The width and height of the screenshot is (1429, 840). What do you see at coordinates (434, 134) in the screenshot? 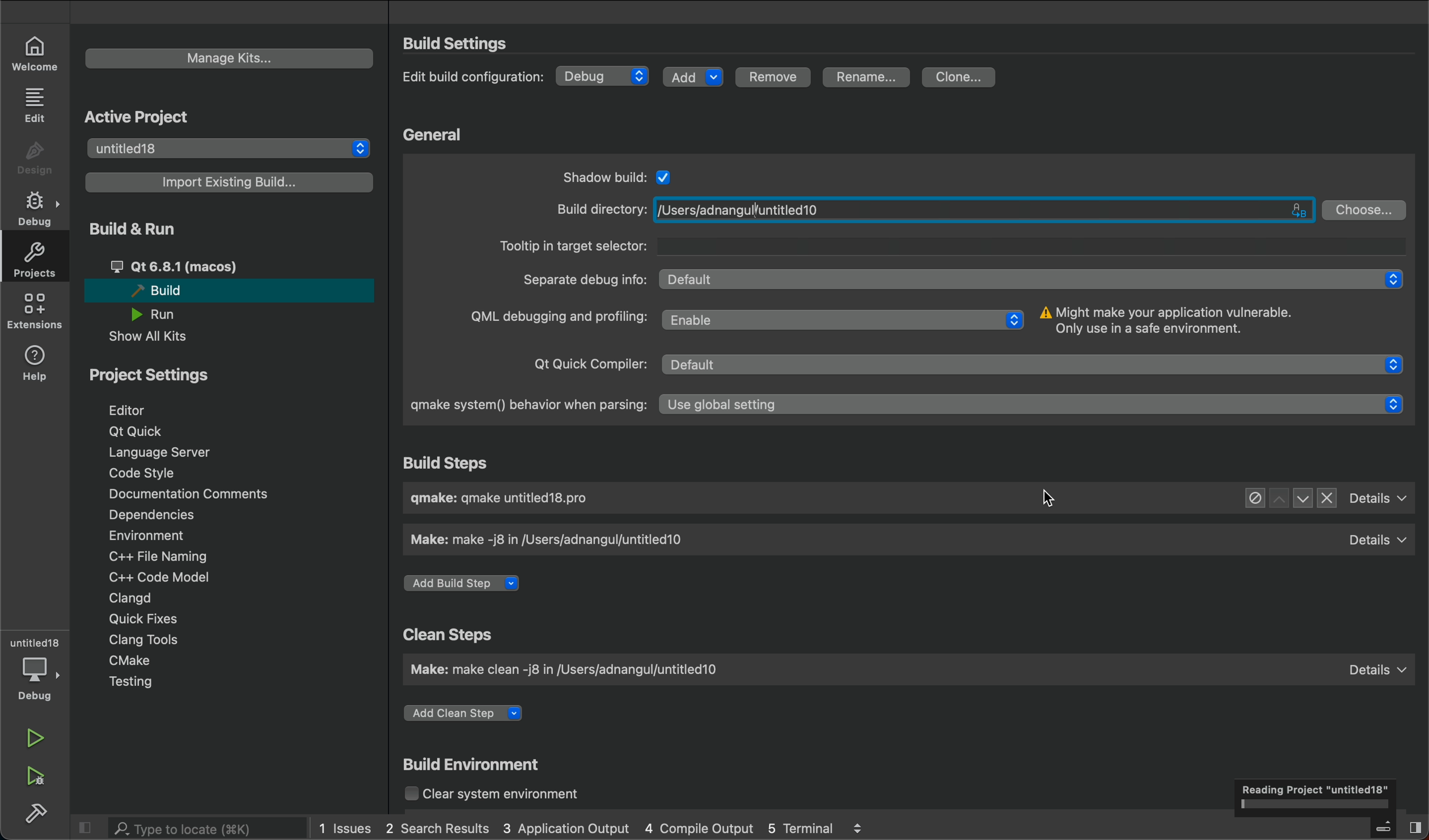
I see `general` at bounding box center [434, 134].